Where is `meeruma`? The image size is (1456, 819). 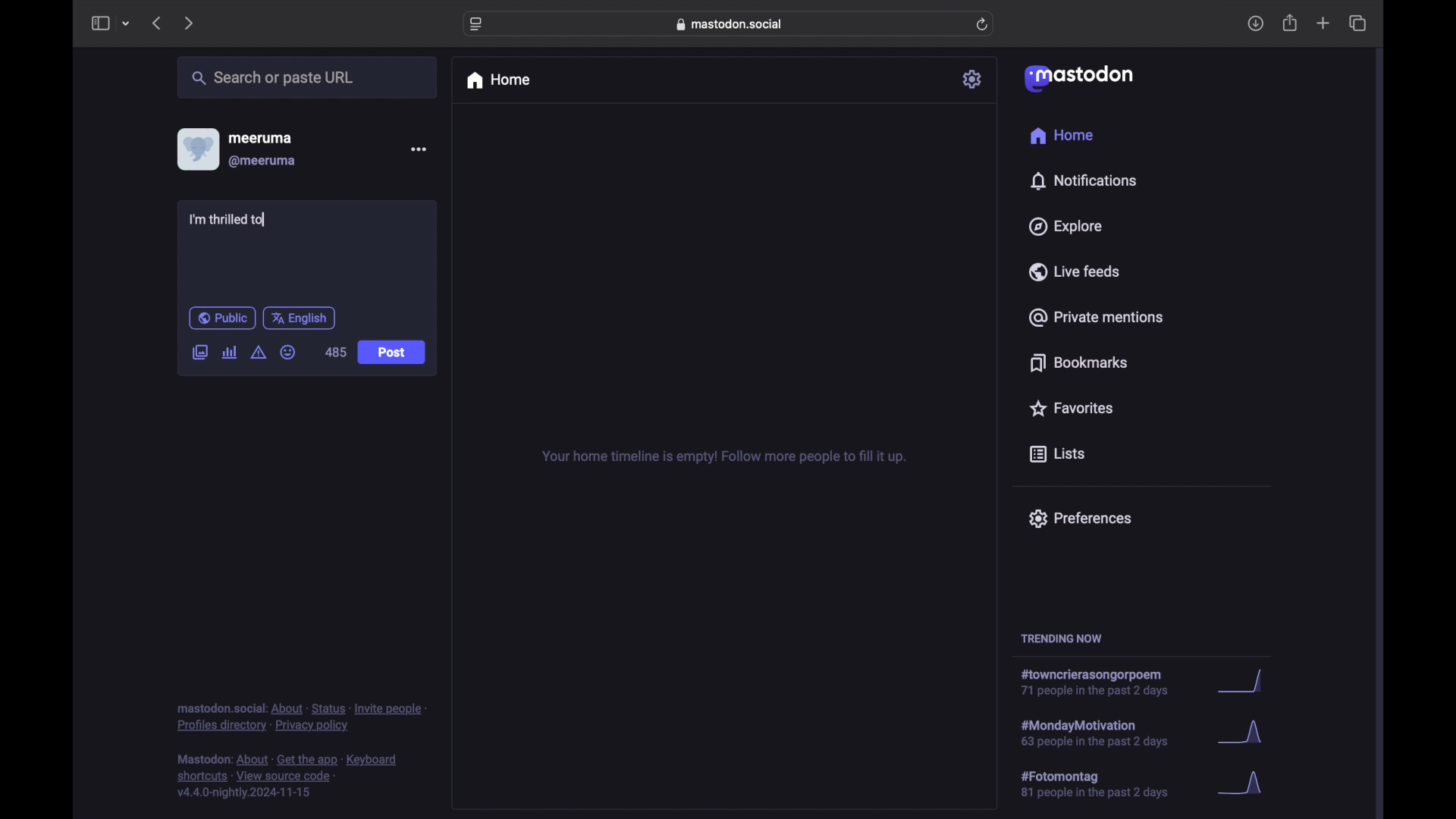
meeruma is located at coordinates (260, 138).